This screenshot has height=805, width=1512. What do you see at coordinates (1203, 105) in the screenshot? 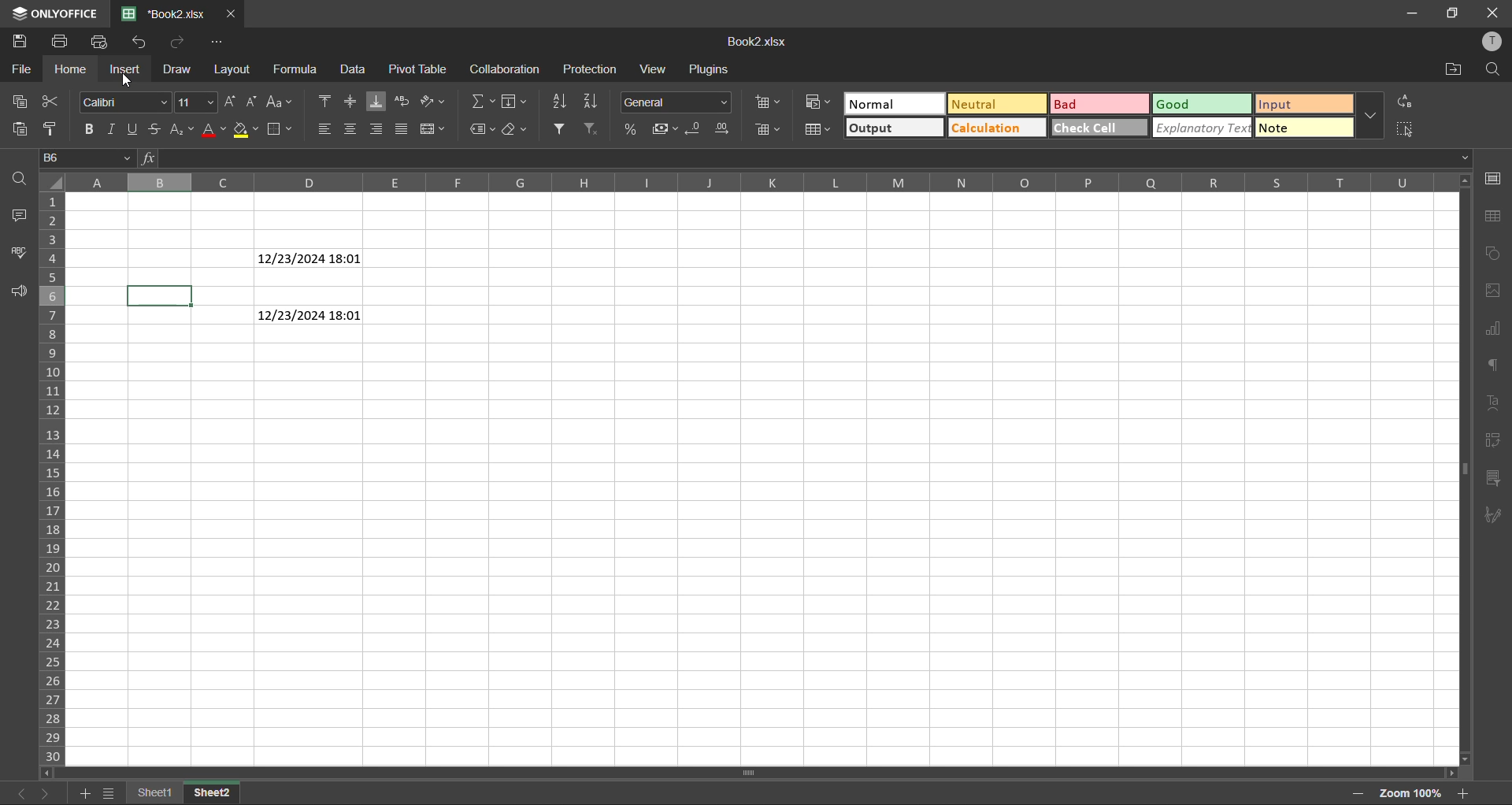
I see `good` at bounding box center [1203, 105].